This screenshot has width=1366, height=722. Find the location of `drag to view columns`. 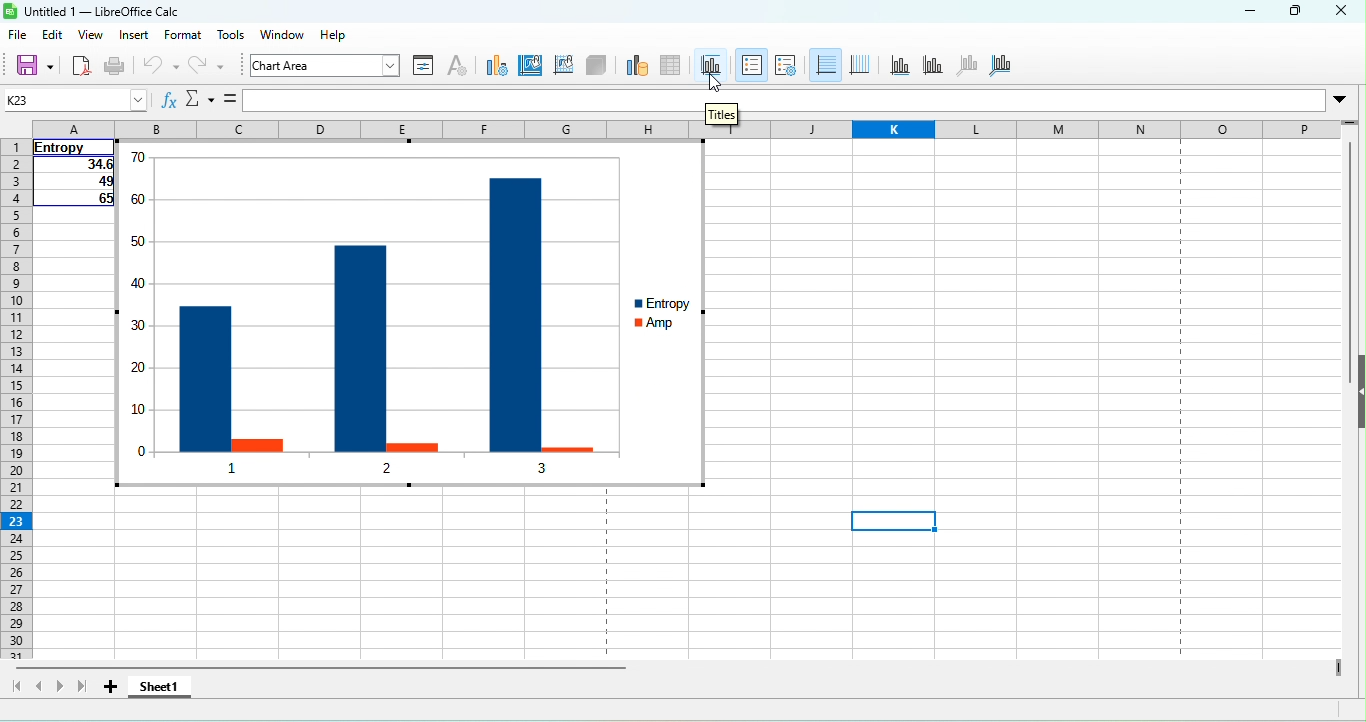

drag to view columns is located at coordinates (1335, 666).